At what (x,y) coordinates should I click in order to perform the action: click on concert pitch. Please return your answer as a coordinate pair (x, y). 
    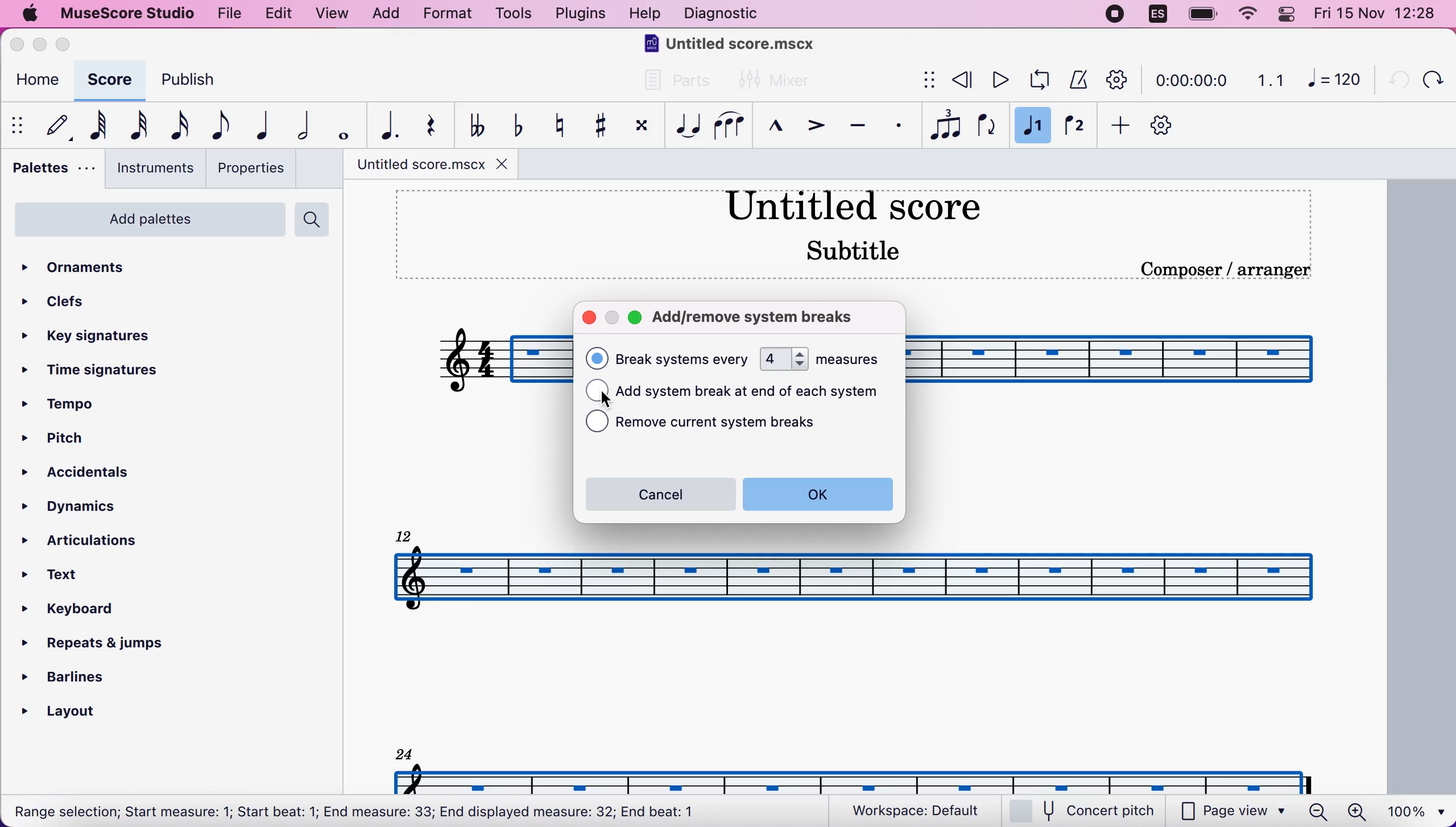
    Looking at the image, I should click on (1089, 812).